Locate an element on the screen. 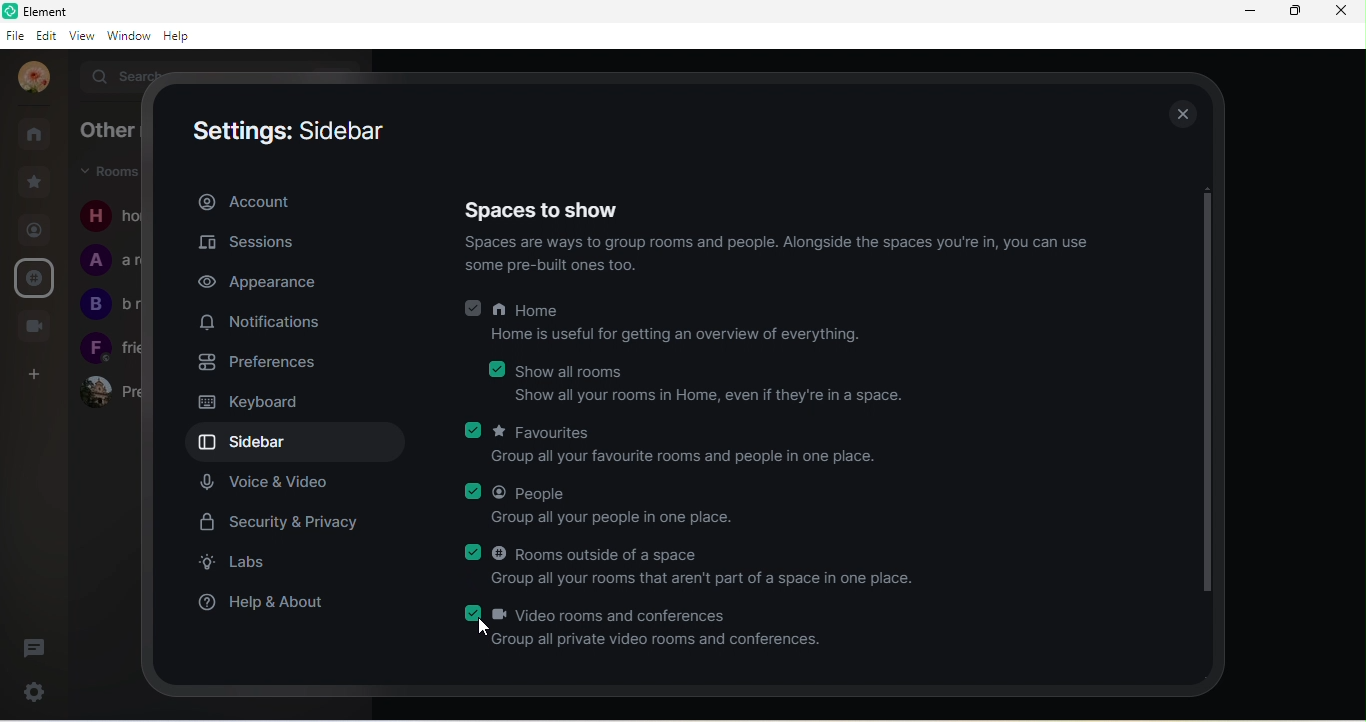 The image size is (1366, 722). other is located at coordinates (108, 131).